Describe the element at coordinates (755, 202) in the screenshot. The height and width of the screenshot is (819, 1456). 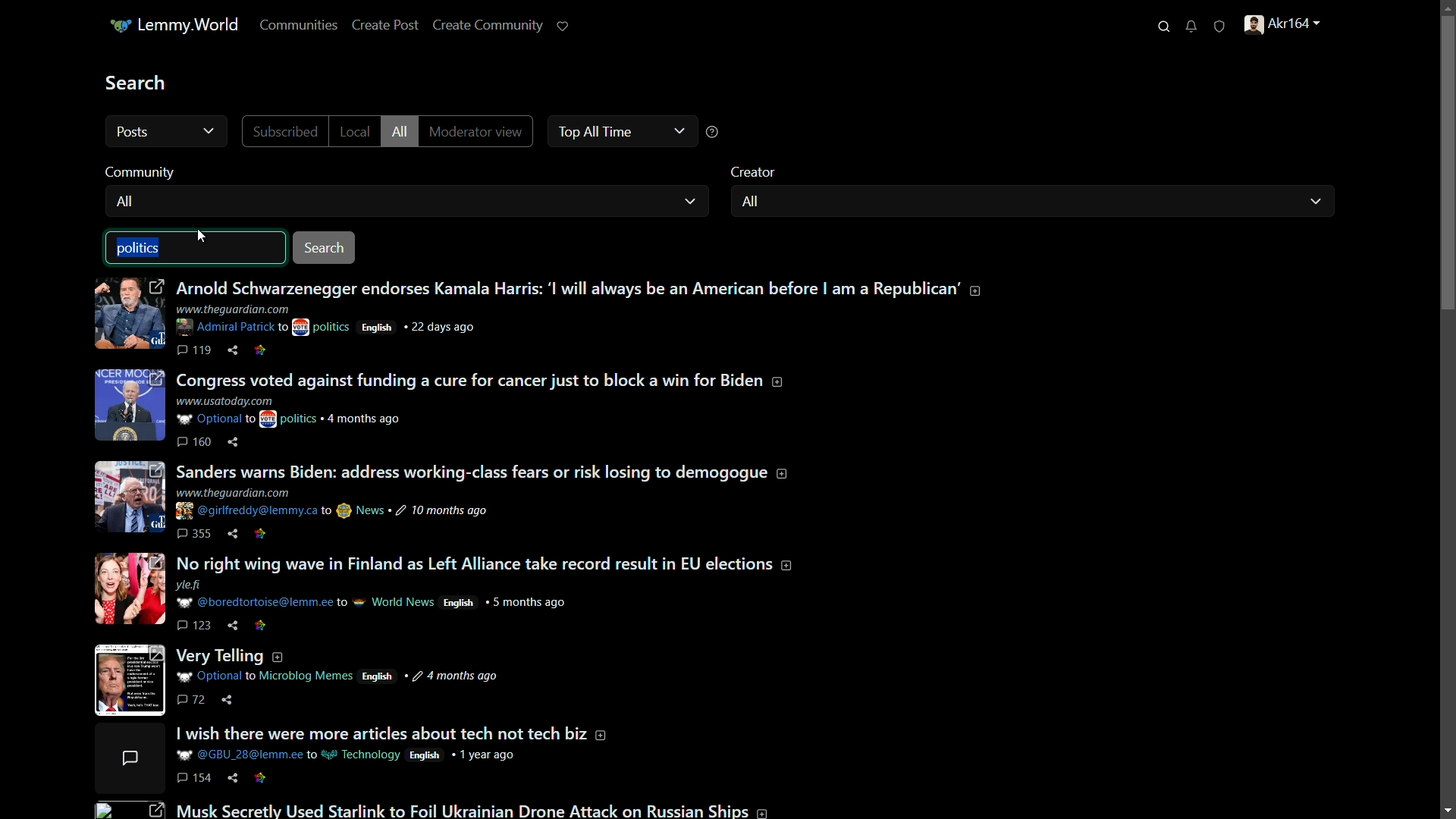
I see `all` at that location.